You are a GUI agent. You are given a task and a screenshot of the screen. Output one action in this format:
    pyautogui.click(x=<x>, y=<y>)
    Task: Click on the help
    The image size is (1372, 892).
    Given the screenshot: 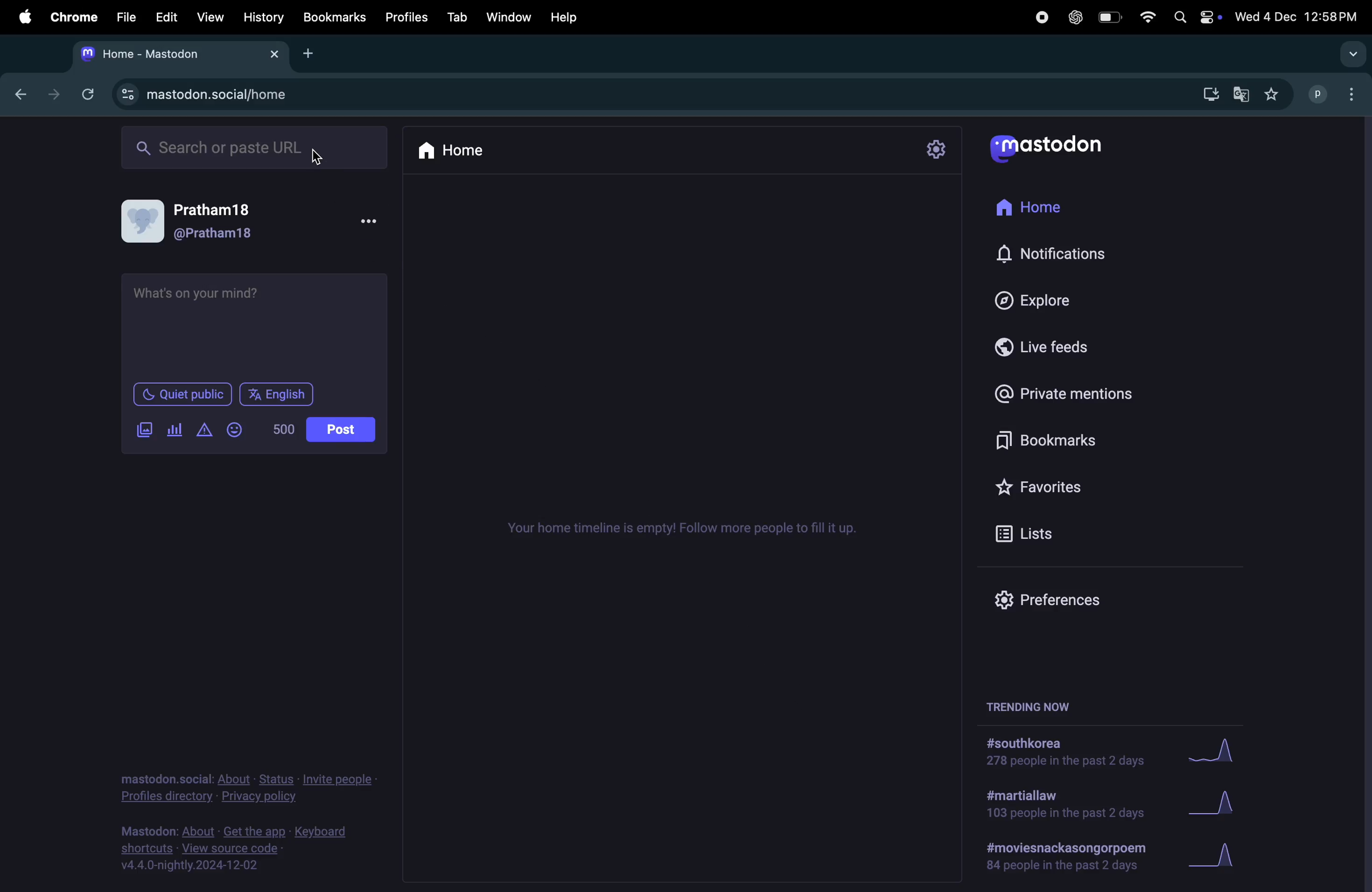 What is the action you would take?
    pyautogui.click(x=563, y=17)
    